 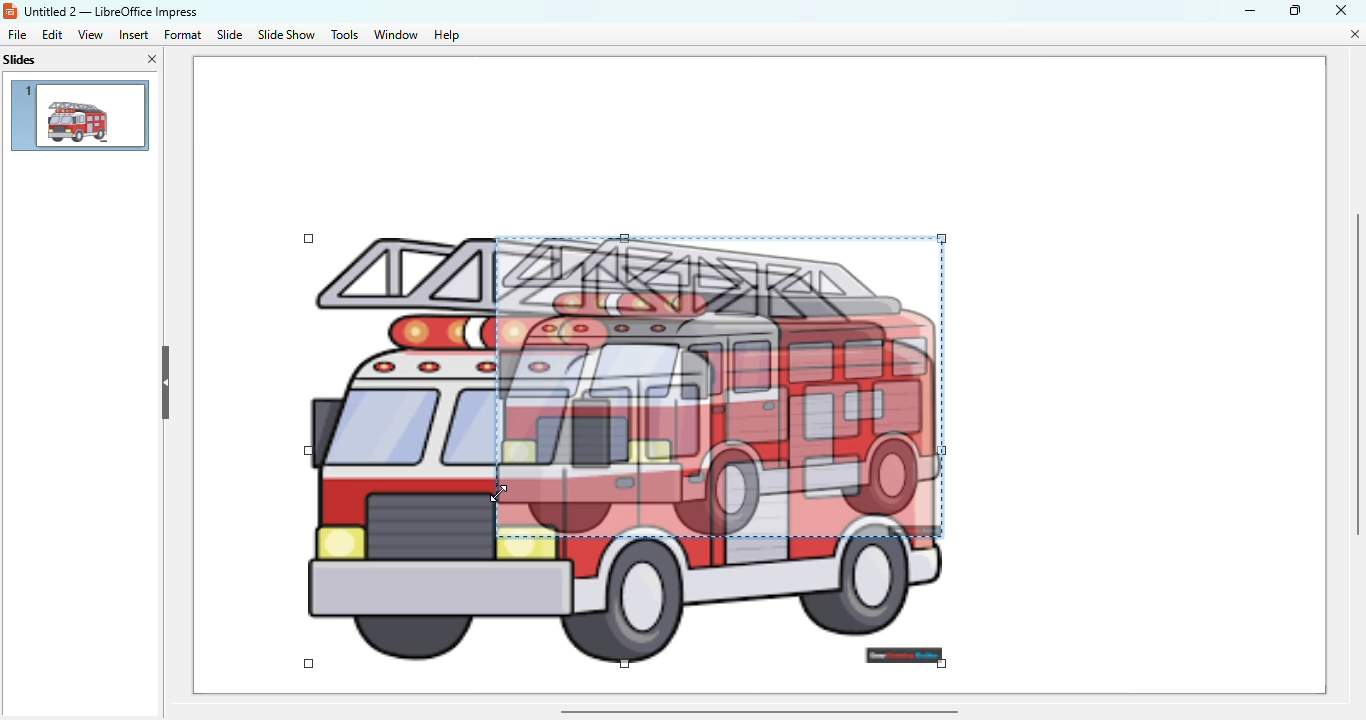 I want to click on mouse down, so click(x=312, y=666).